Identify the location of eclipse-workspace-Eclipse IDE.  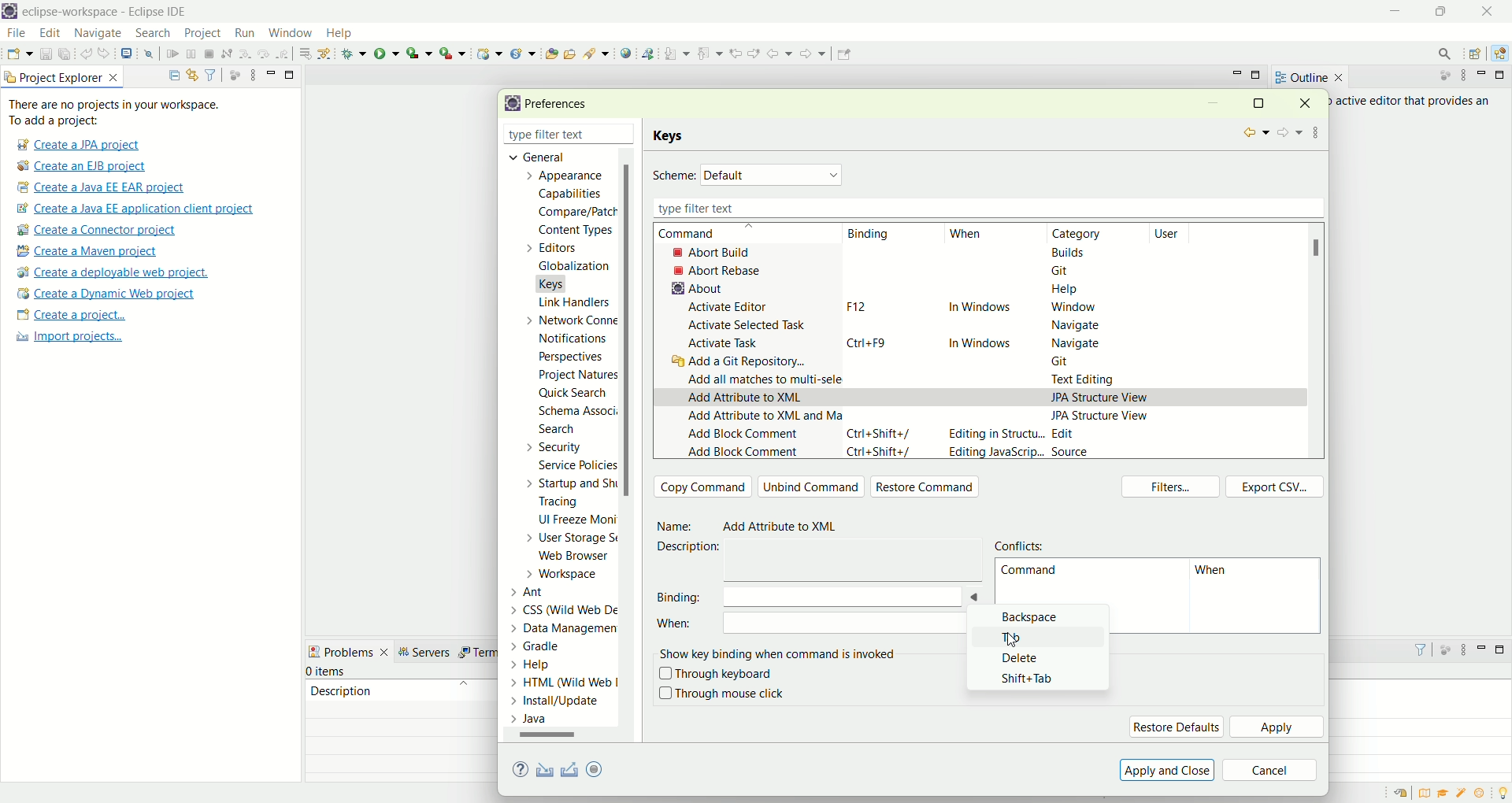
(103, 13).